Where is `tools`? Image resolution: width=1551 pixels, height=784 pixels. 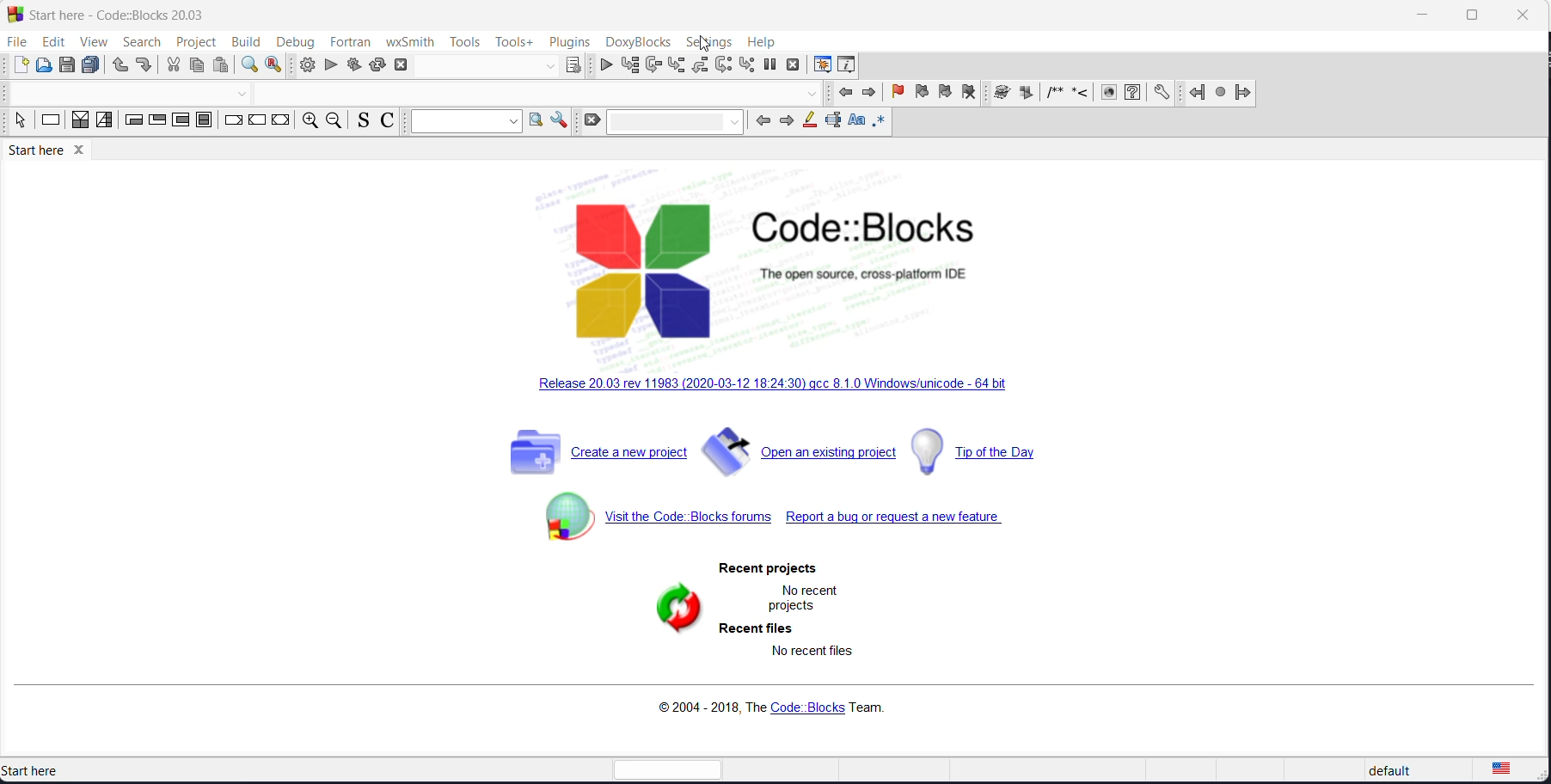
tools is located at coordinates (465, 41).